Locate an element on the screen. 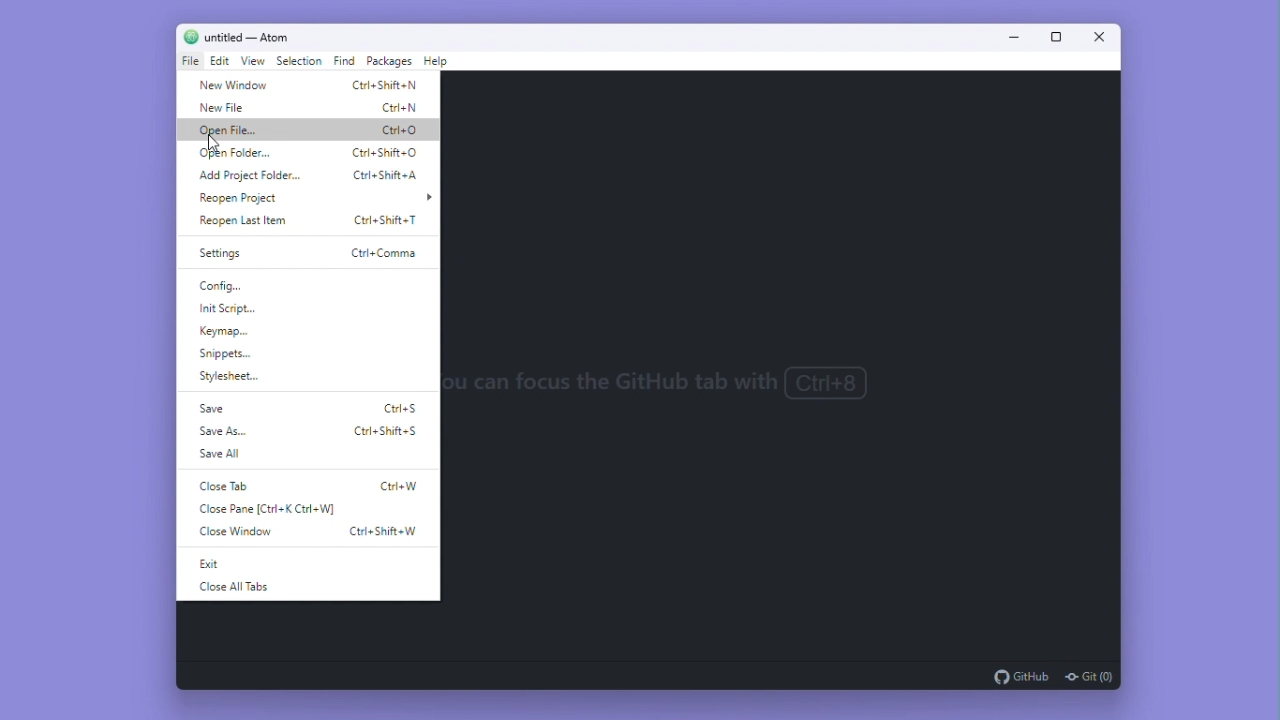 The height and width of the screenshot is (720, 1280). Reopen project  is located at coordinates (317, 199).